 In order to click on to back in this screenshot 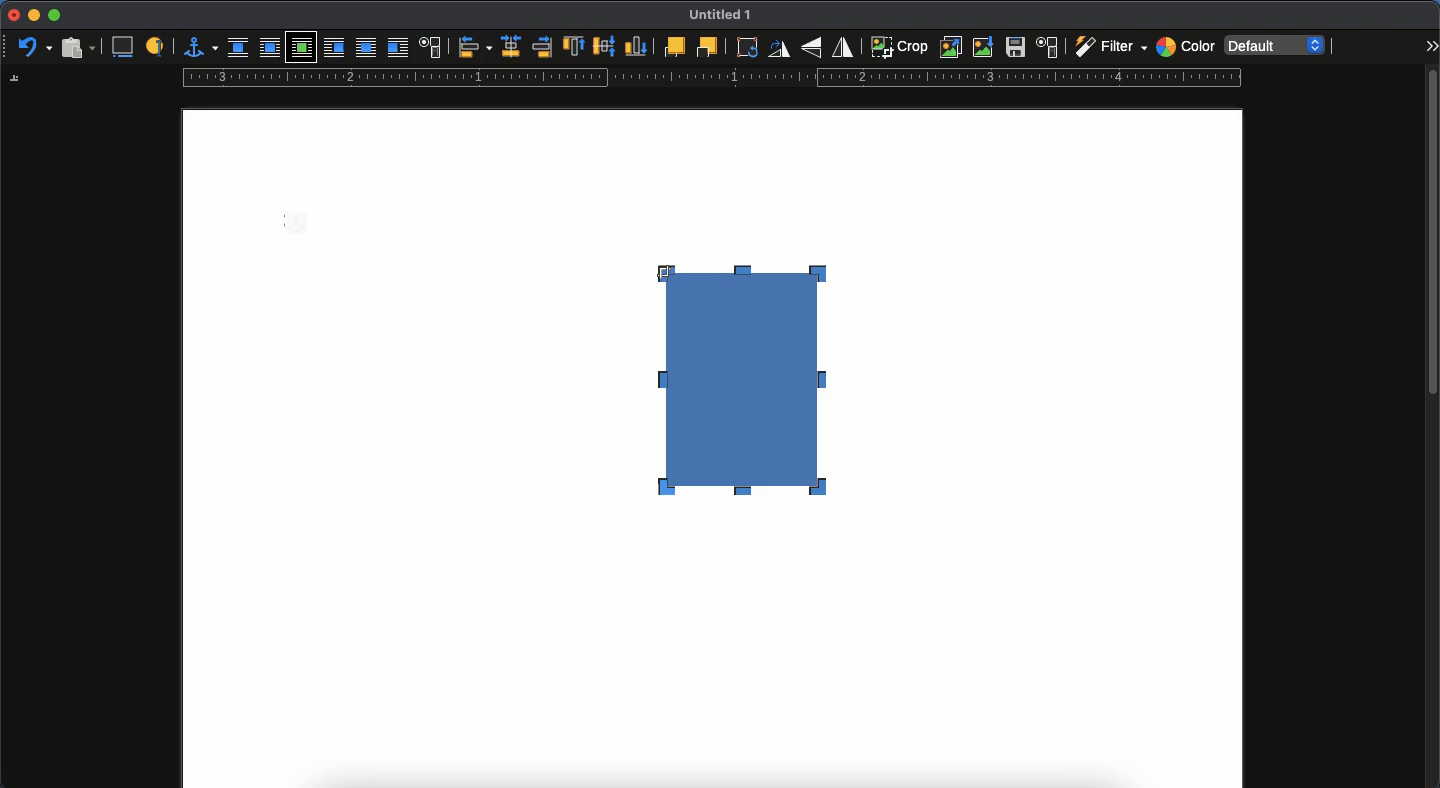, I will do `click(707, 46)`.